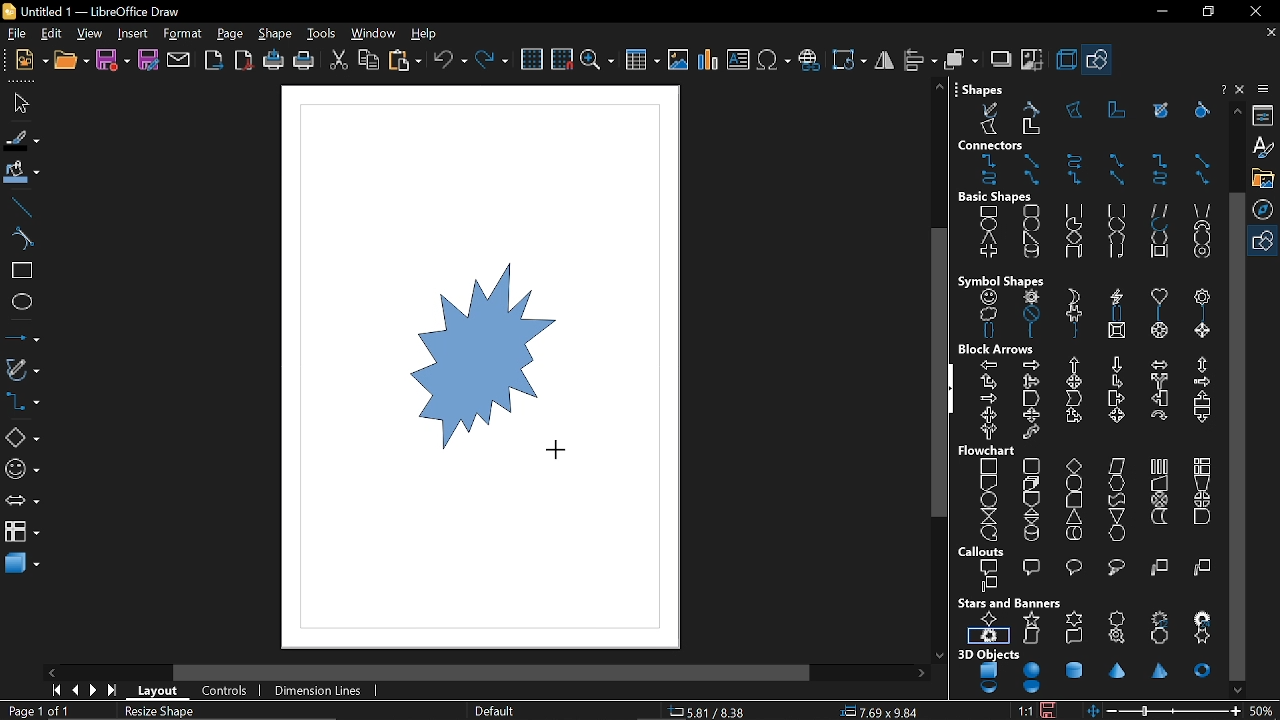  Describe the element at coordinates (21, 141) in the screenshot. I see `fill line` at that location.